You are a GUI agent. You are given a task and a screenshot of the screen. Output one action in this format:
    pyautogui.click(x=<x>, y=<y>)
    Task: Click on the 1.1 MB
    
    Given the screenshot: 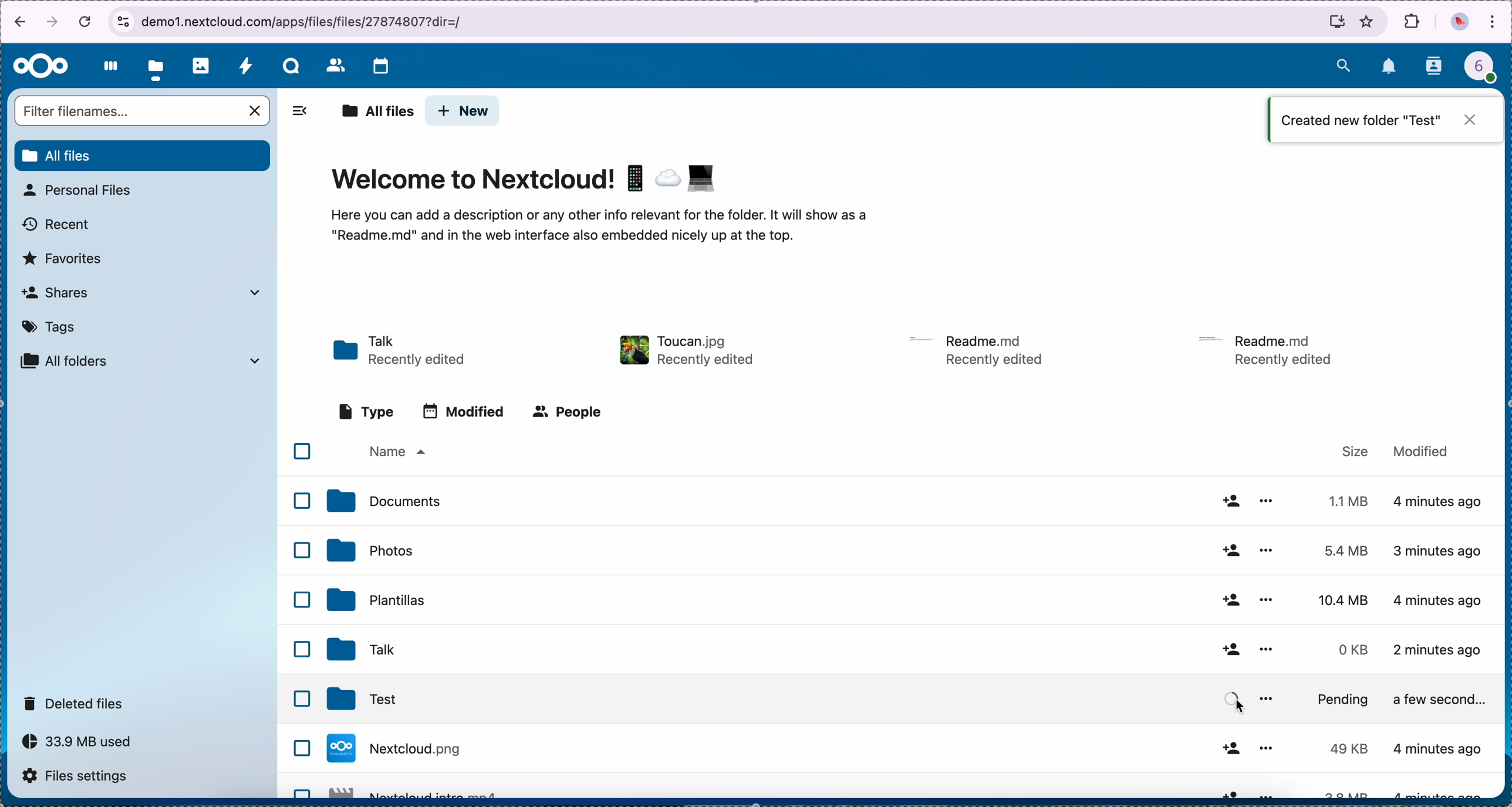 What is the action you would take?
    pyautogui.click(x=1345, y=499)
    